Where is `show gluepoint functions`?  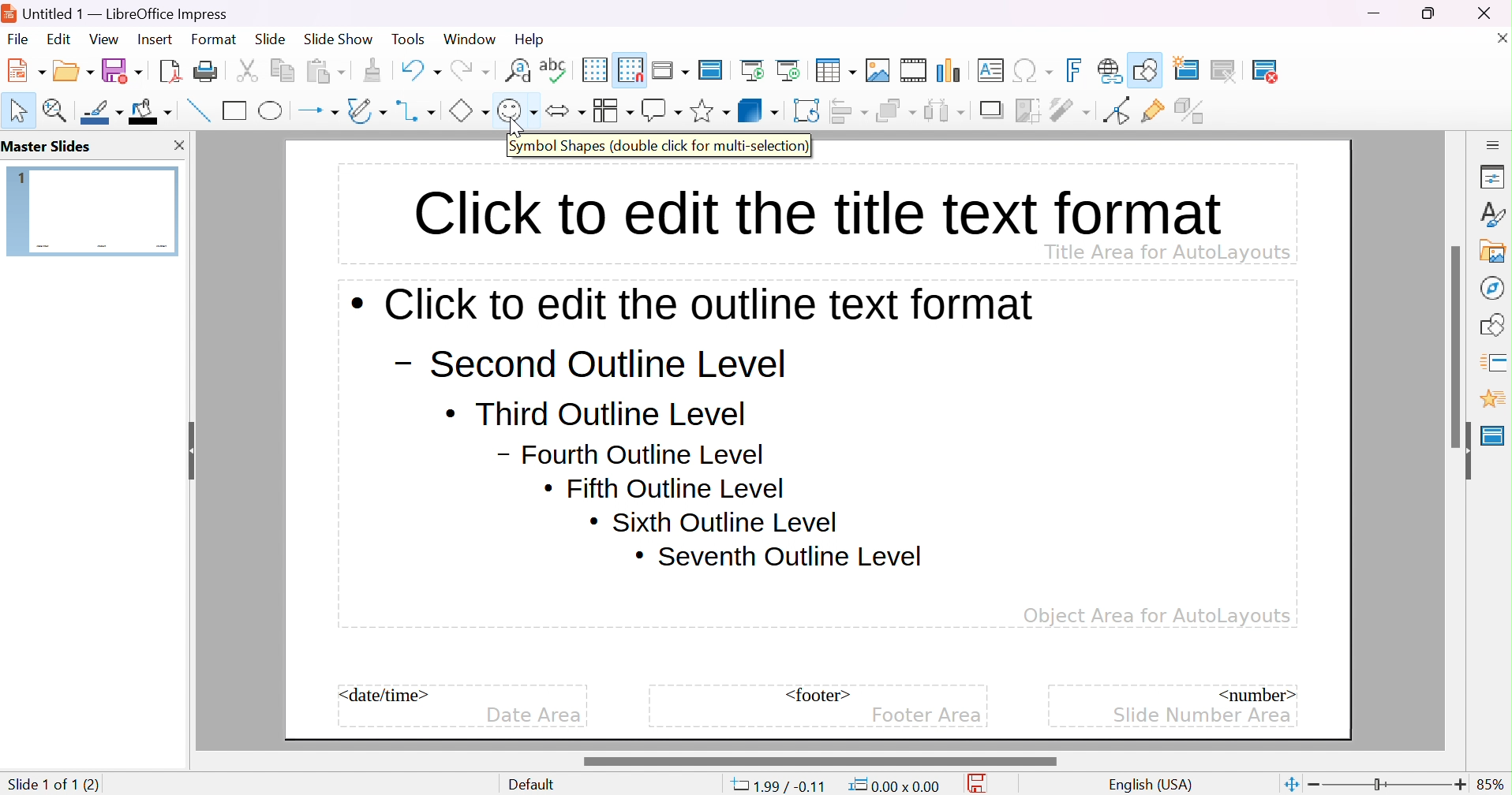 show gluepoint functions is located at coordinates (1153, 111).